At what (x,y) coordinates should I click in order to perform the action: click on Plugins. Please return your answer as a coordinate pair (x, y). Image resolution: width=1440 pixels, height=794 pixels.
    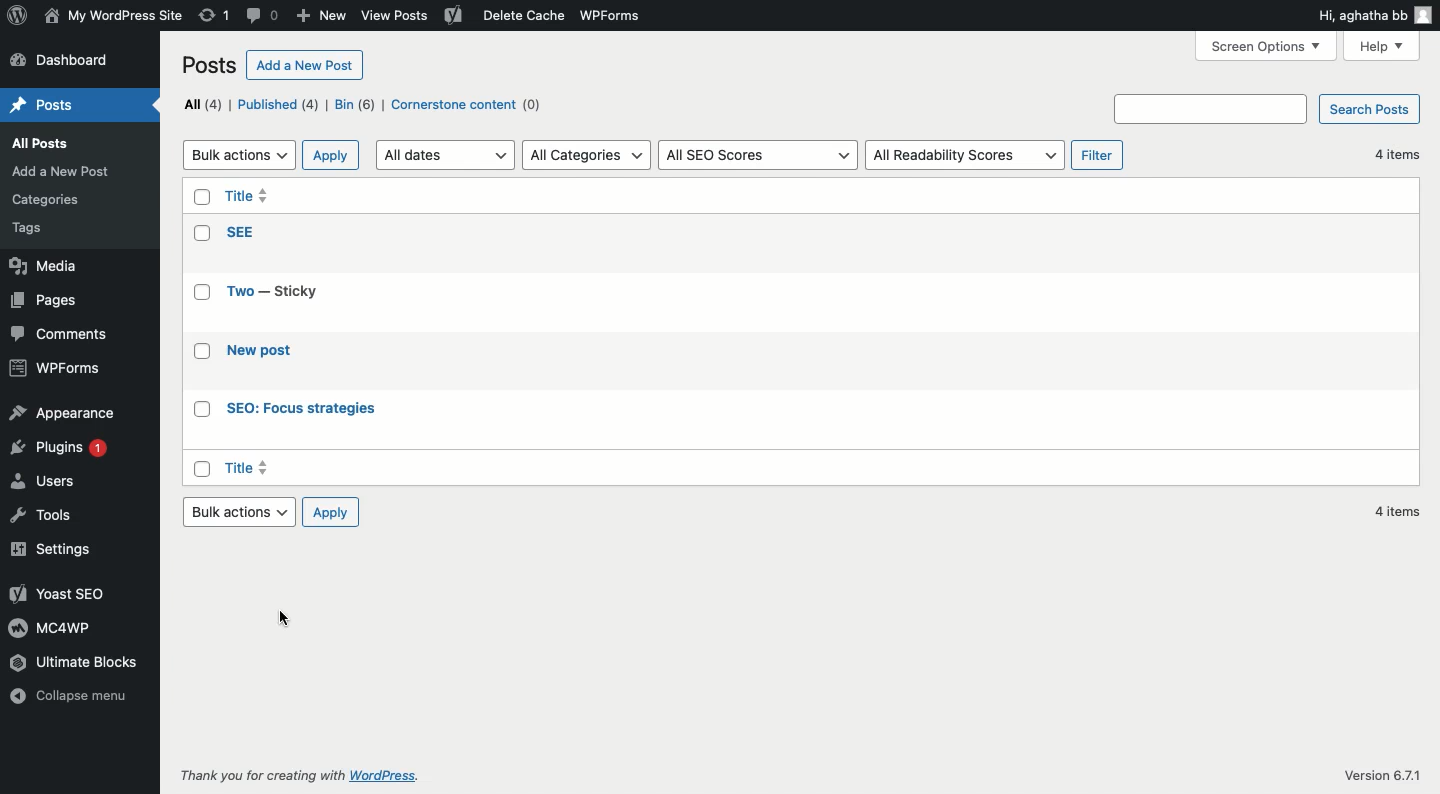
    Looking at the image, I should click on (65, 452).